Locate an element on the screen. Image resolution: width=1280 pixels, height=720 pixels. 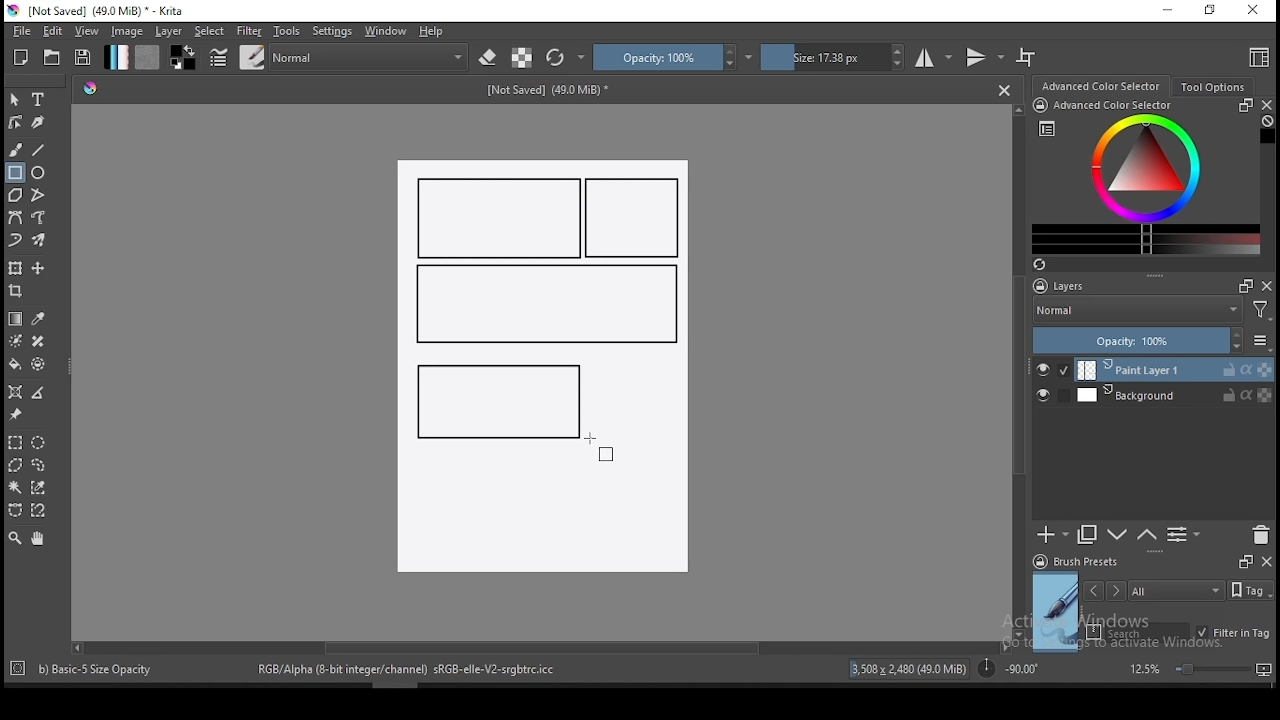
bezier curve selection tool is located at coordinates (15, 511).